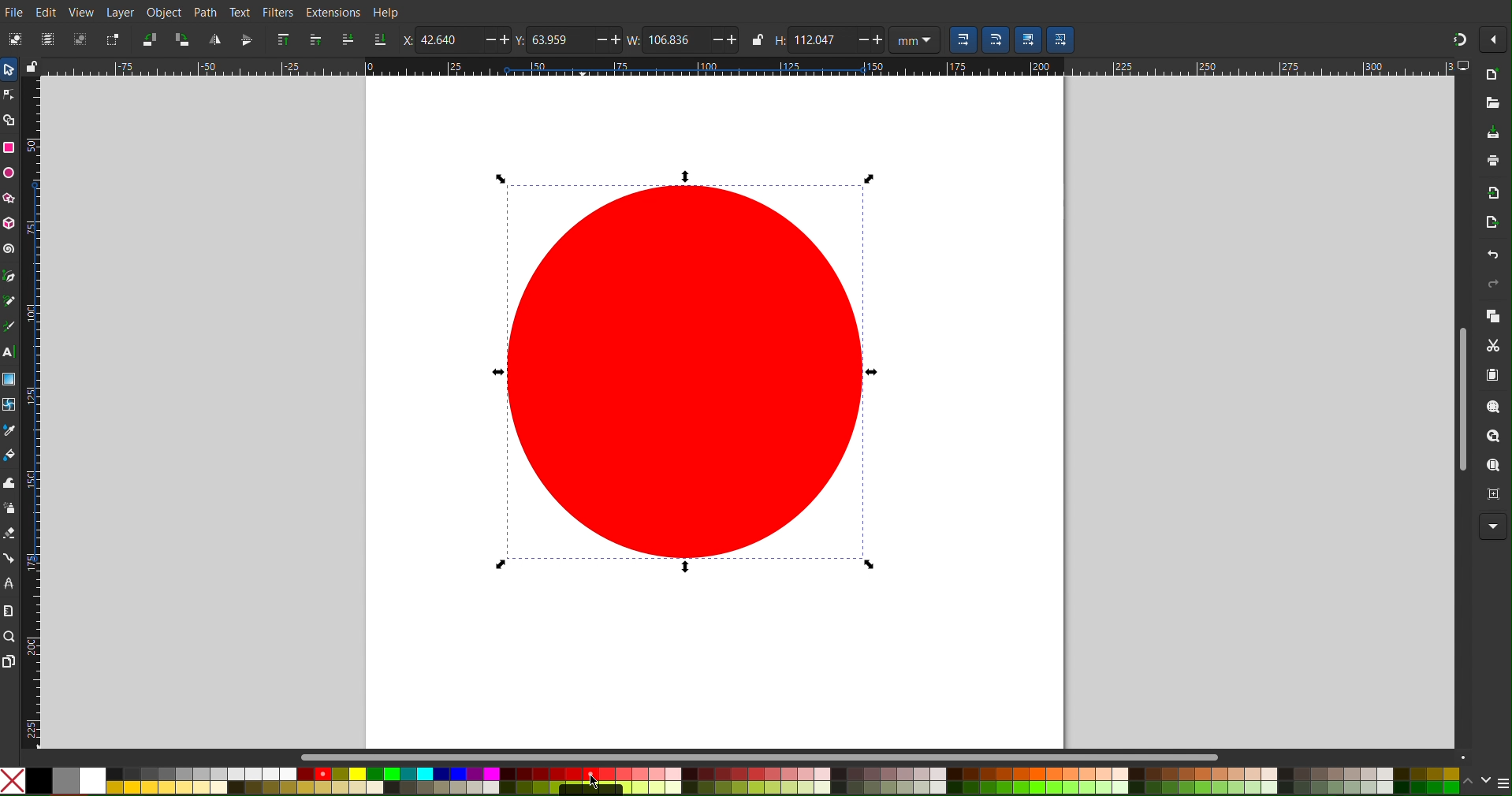 Image resolution: width=1512 pixels, height=796 pixels. What do you see at coordinates (241, 12) in the screenshot?
I see `Text` at bounding box center [241, 12].